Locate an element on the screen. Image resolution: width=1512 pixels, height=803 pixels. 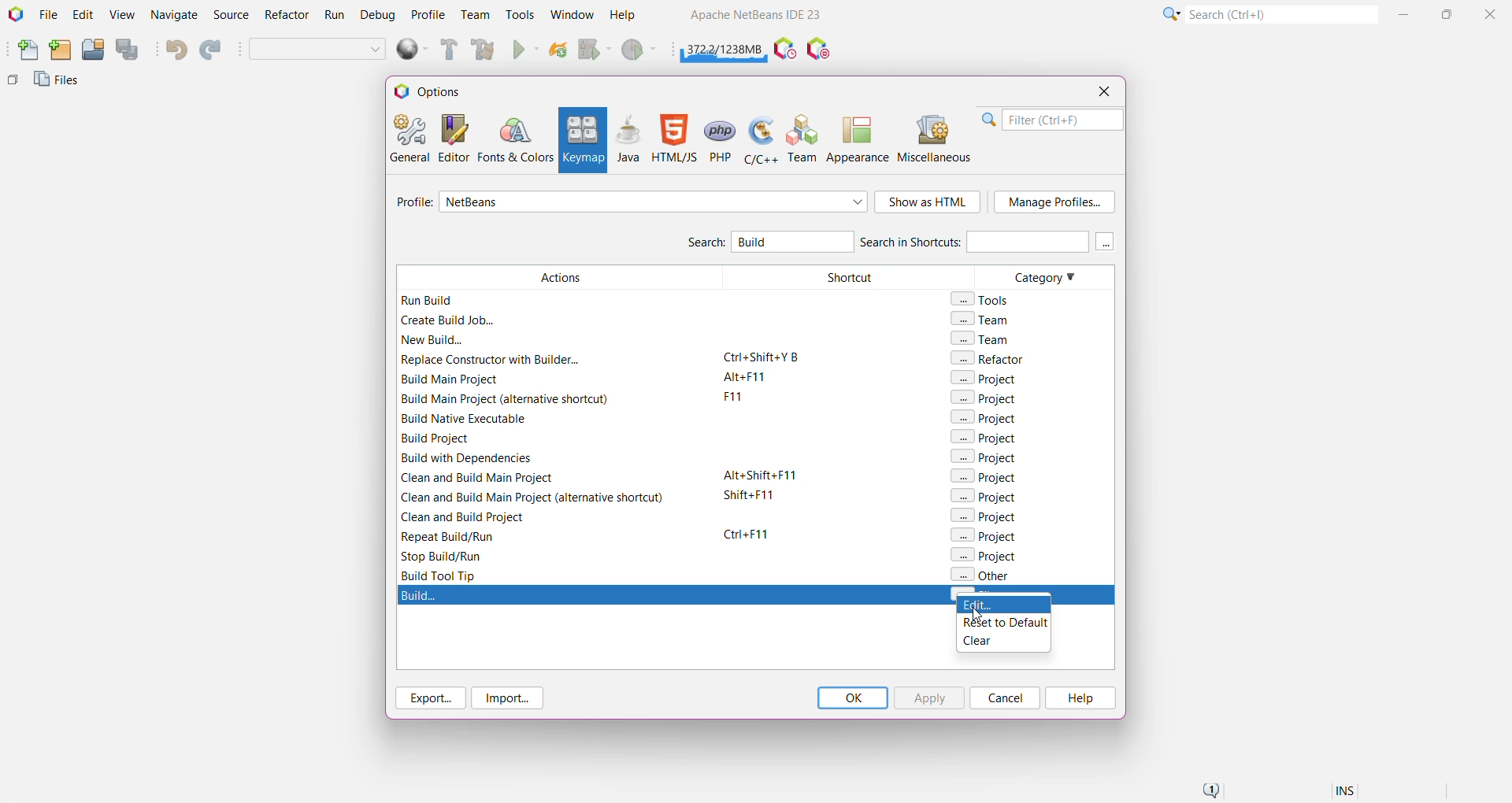
Editor is located at coordinates (450, 138).